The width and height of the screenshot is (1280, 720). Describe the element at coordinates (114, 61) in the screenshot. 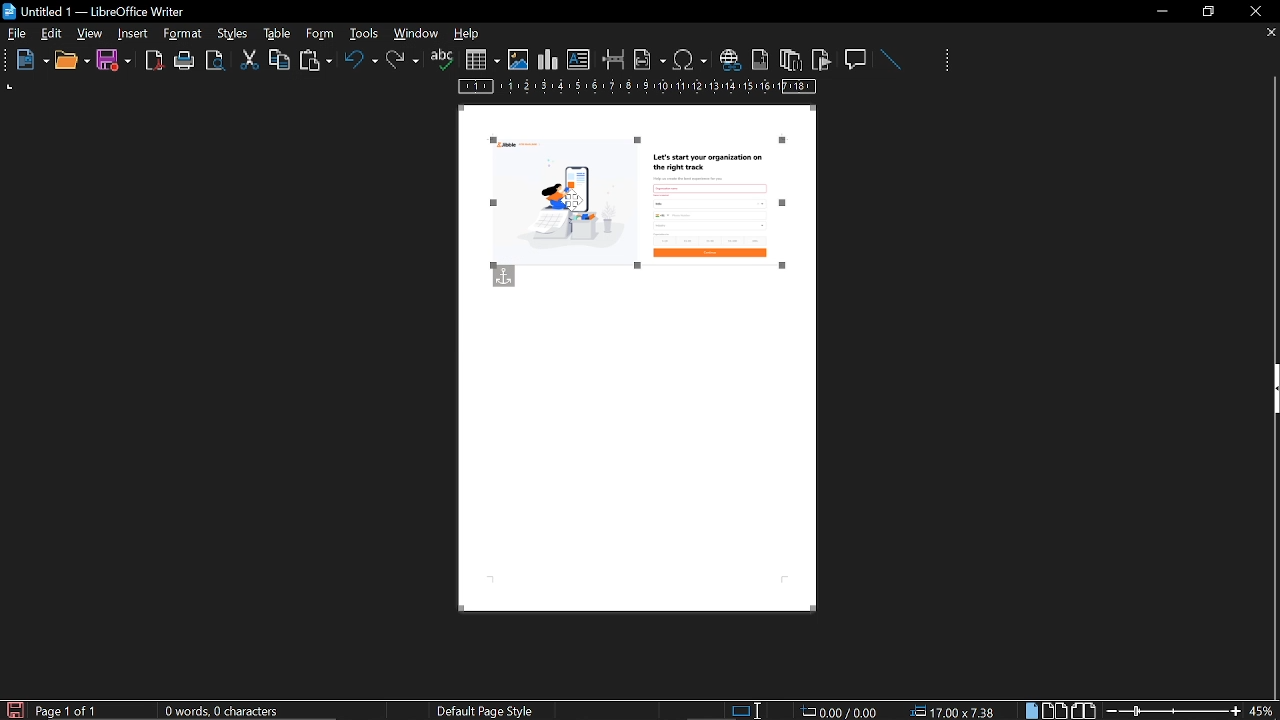

I see `save` at that location.